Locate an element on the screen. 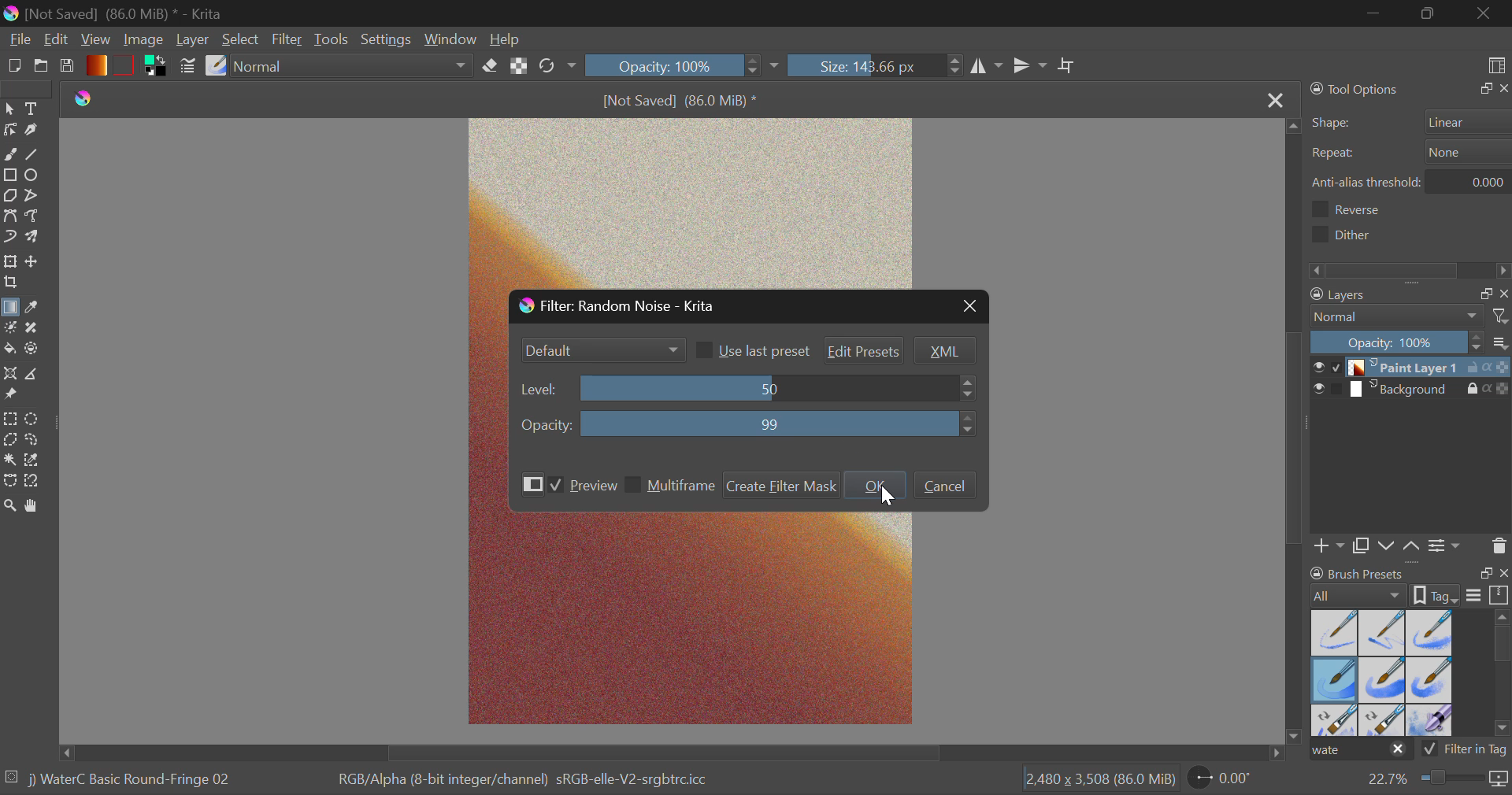 This screenshot has width=1512, height=795. Bezier Curve is located at coordinates (9, 216).